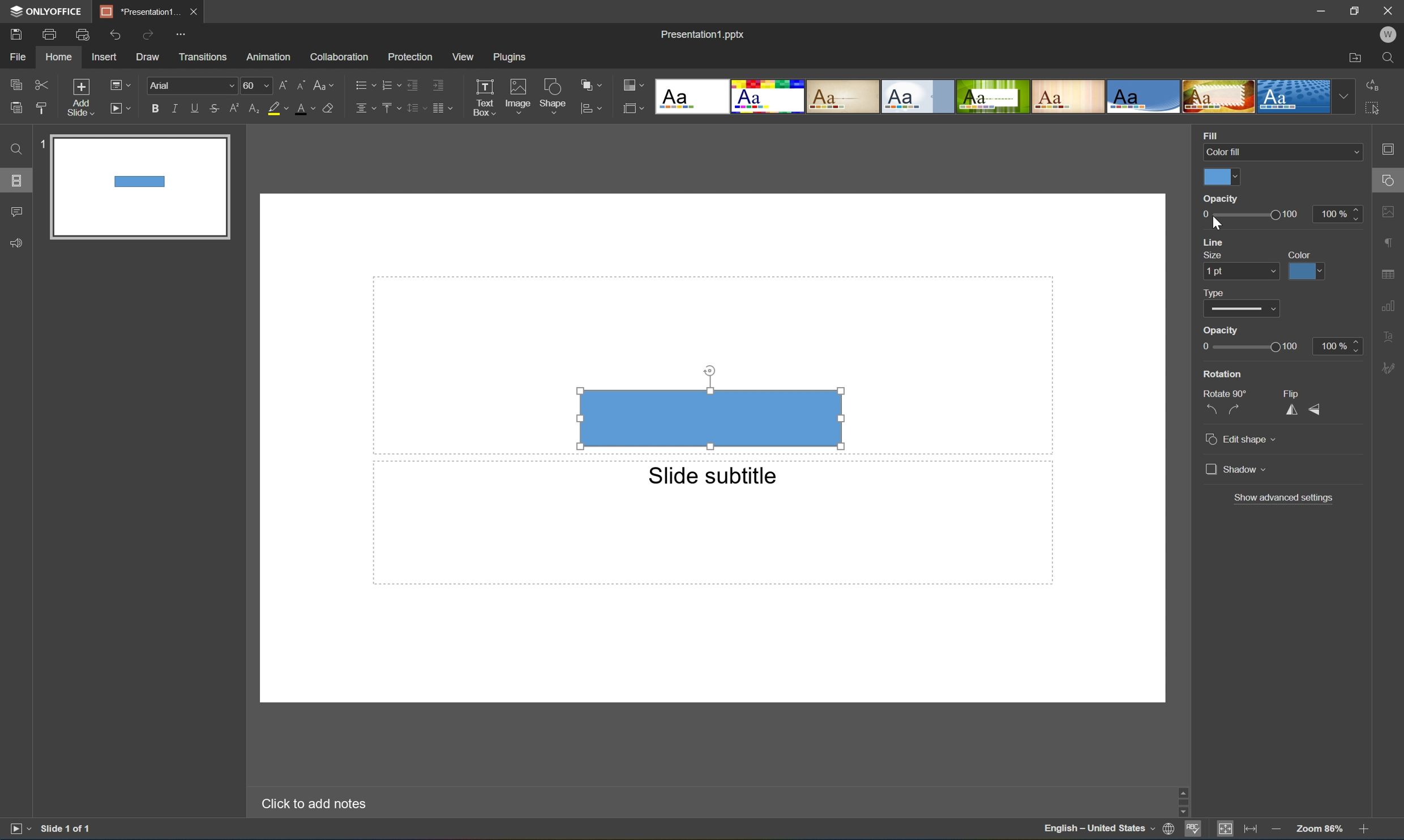  Describe the element at coordinates (515, 94) in the screenshot. I see `Image` at that location.